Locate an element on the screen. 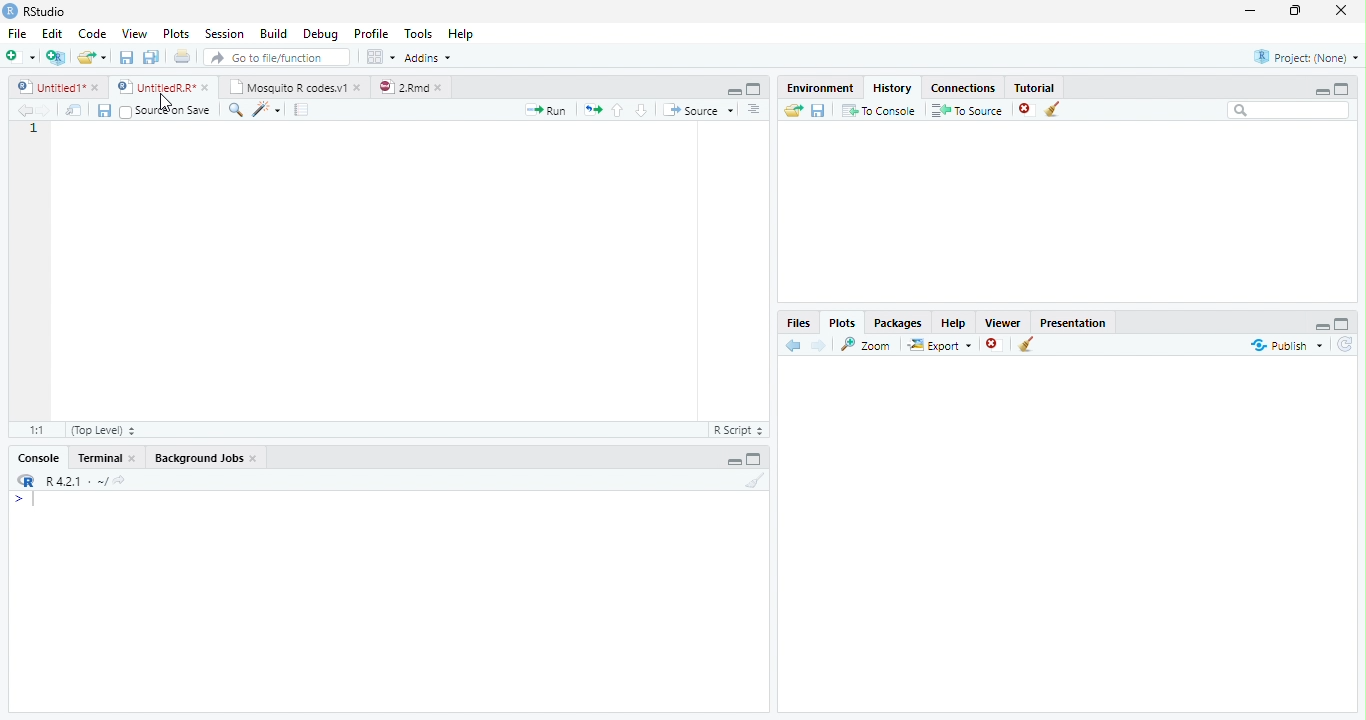 The height and width of the screenshot is (720, 1366). Load History from existing file is located at coordinates (793, 110).